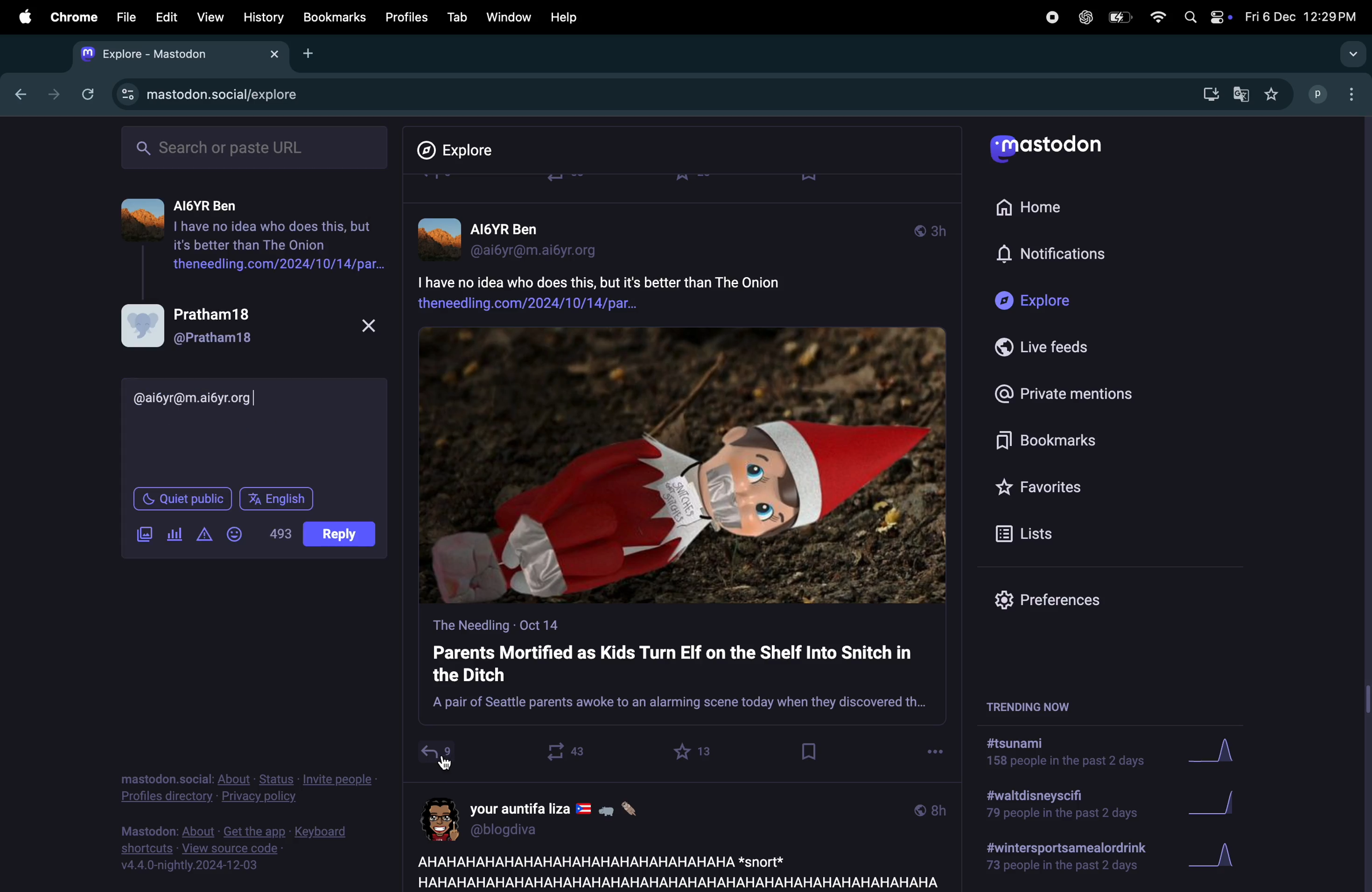 This screenshot has width=1372, height=892. I want to click on Window, so click(507, 17).